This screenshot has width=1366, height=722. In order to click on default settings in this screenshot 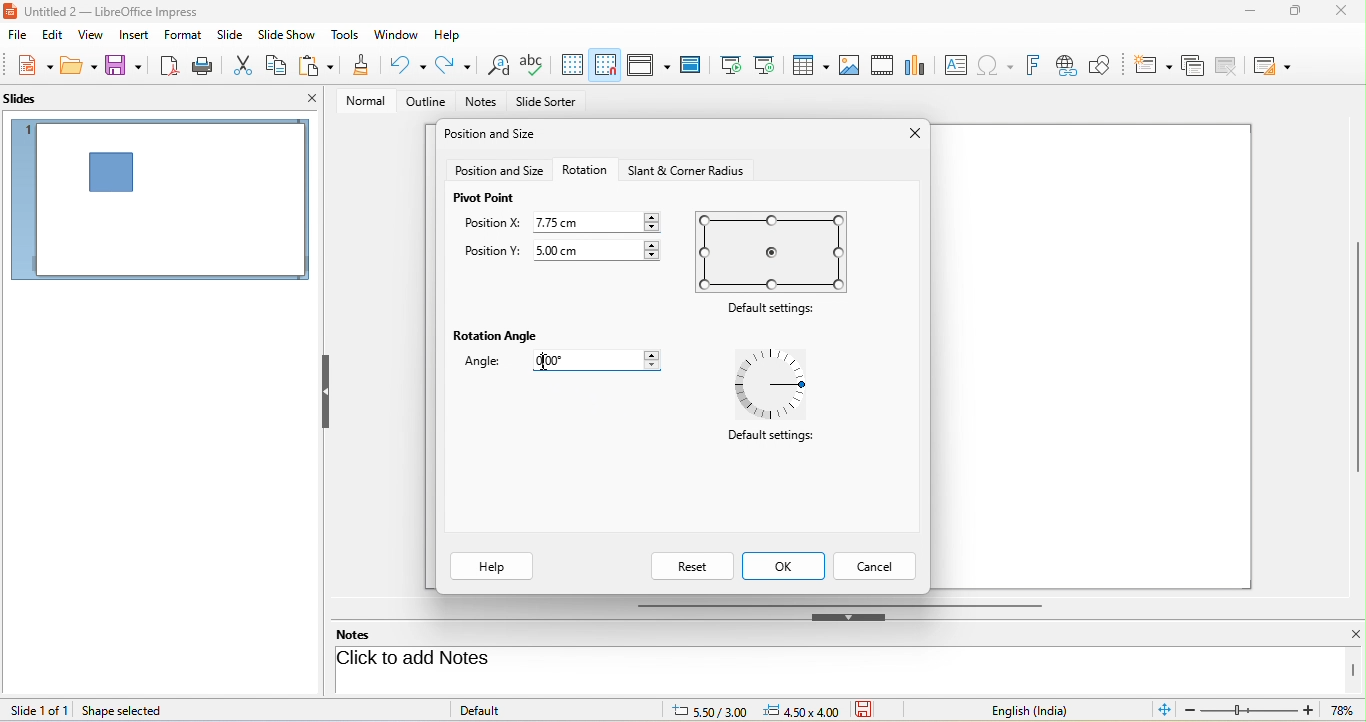, I will do `click(775, 310)`.